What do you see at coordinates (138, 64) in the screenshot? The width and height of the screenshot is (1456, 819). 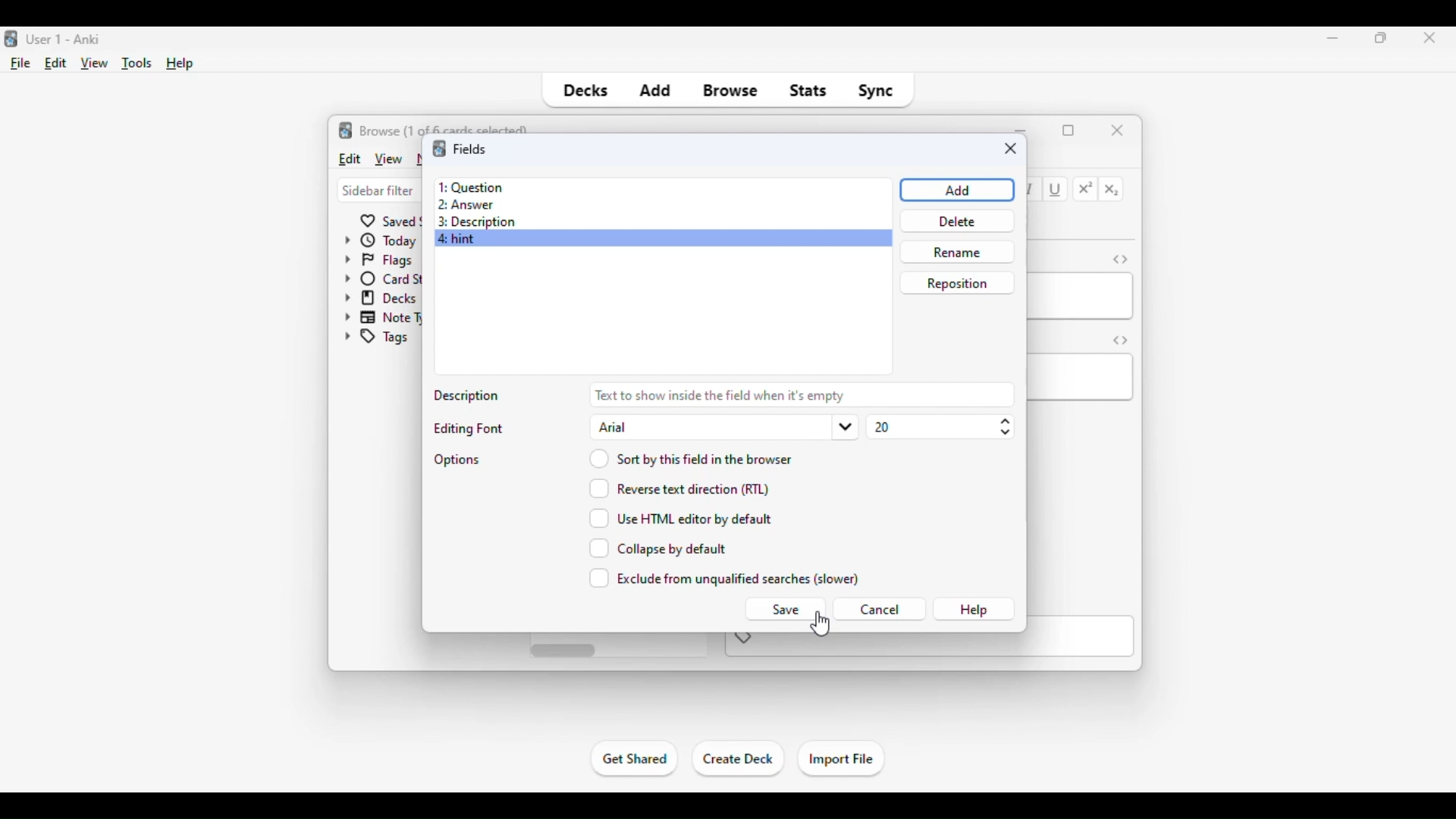 I see `tools` at bounding box center [138, 64].